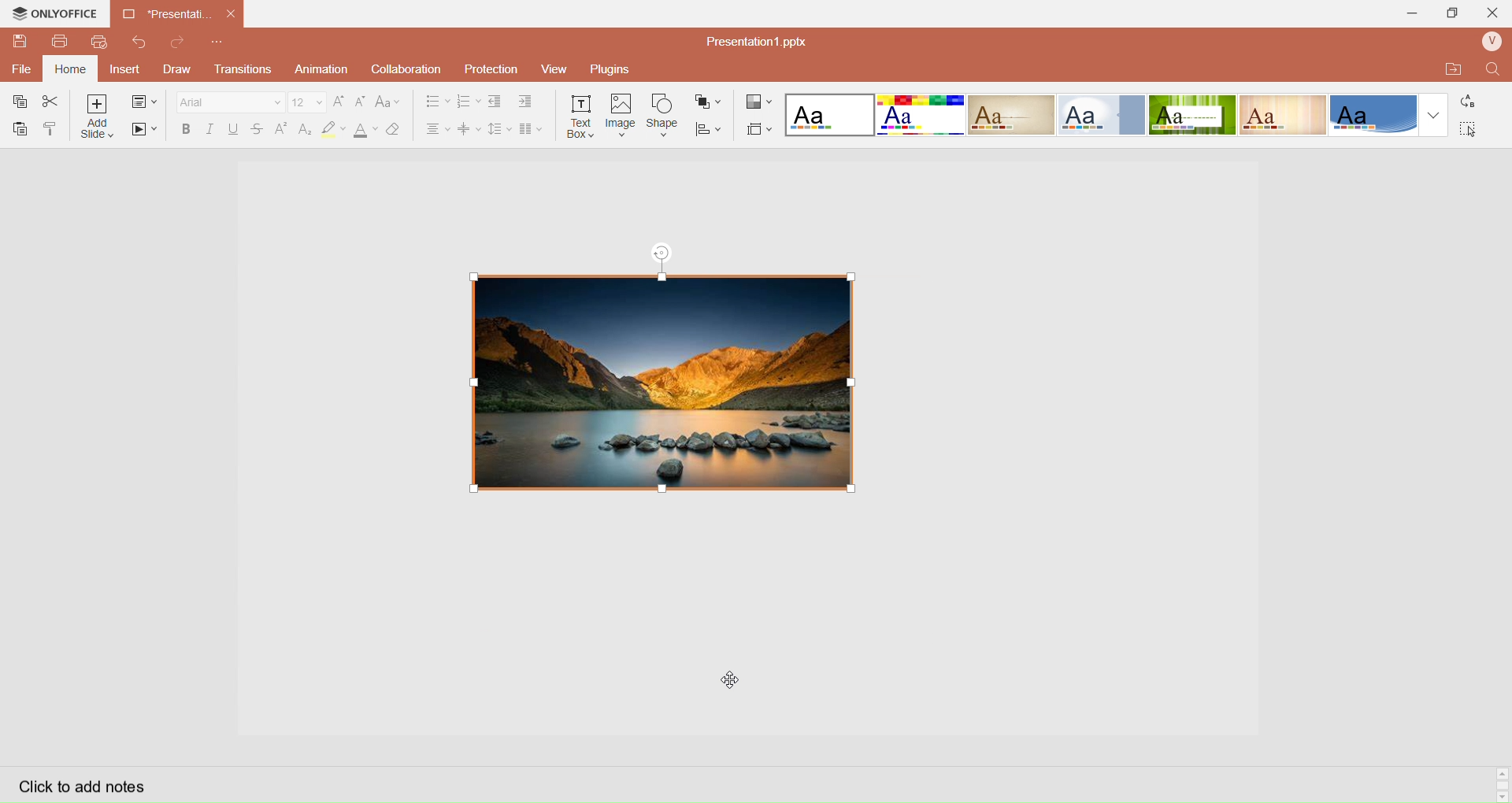 Image resolution: width=1512 pixels, height=803 pixels. What do you see at coordinates (25, 69) in the screenshot?
I see `File` at bounding box center [25, 69].